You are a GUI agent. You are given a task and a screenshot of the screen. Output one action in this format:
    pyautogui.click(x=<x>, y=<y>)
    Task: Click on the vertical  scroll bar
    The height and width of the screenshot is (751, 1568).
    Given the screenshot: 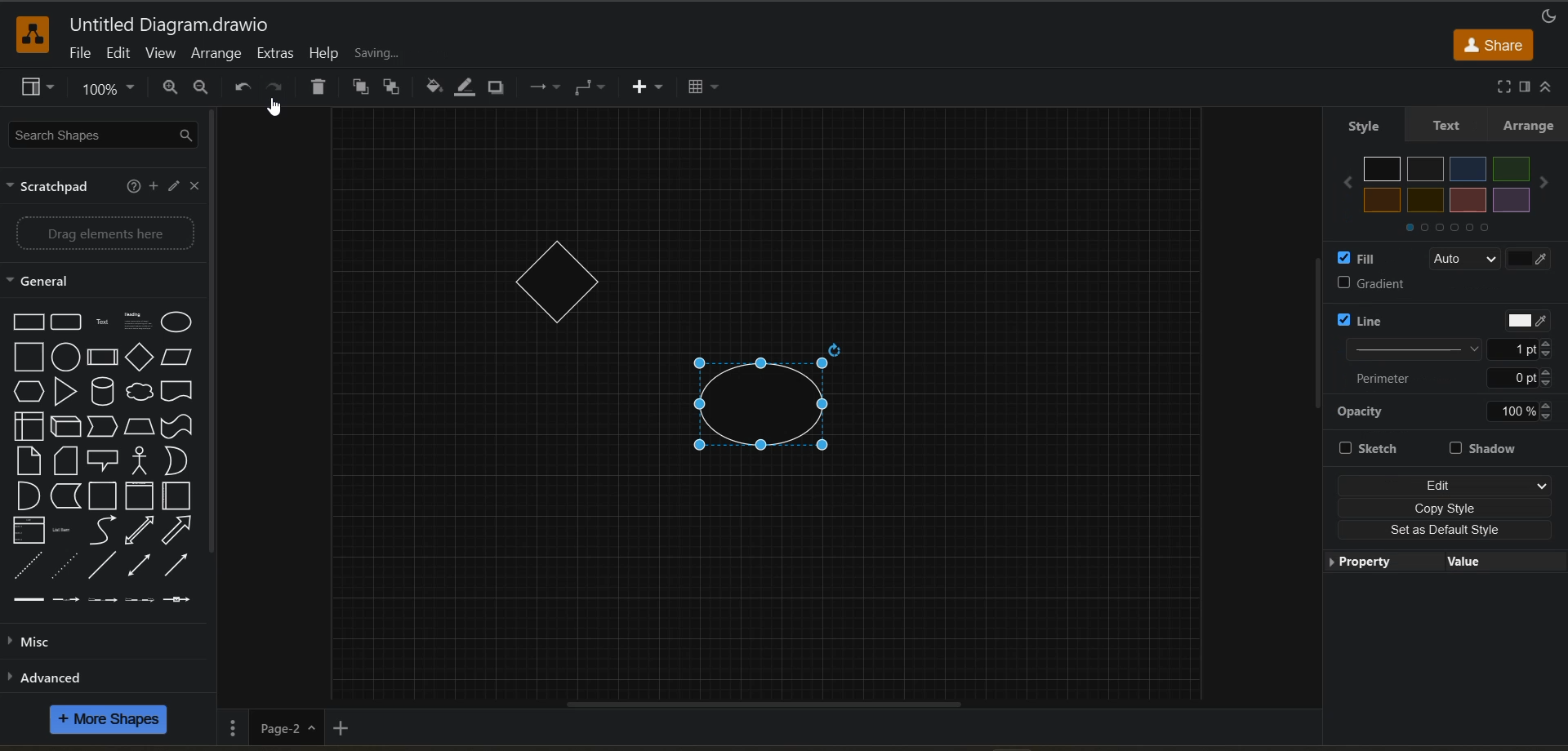 What is the action you would take?
    pyautogui.click(x=1321, y=339)
    